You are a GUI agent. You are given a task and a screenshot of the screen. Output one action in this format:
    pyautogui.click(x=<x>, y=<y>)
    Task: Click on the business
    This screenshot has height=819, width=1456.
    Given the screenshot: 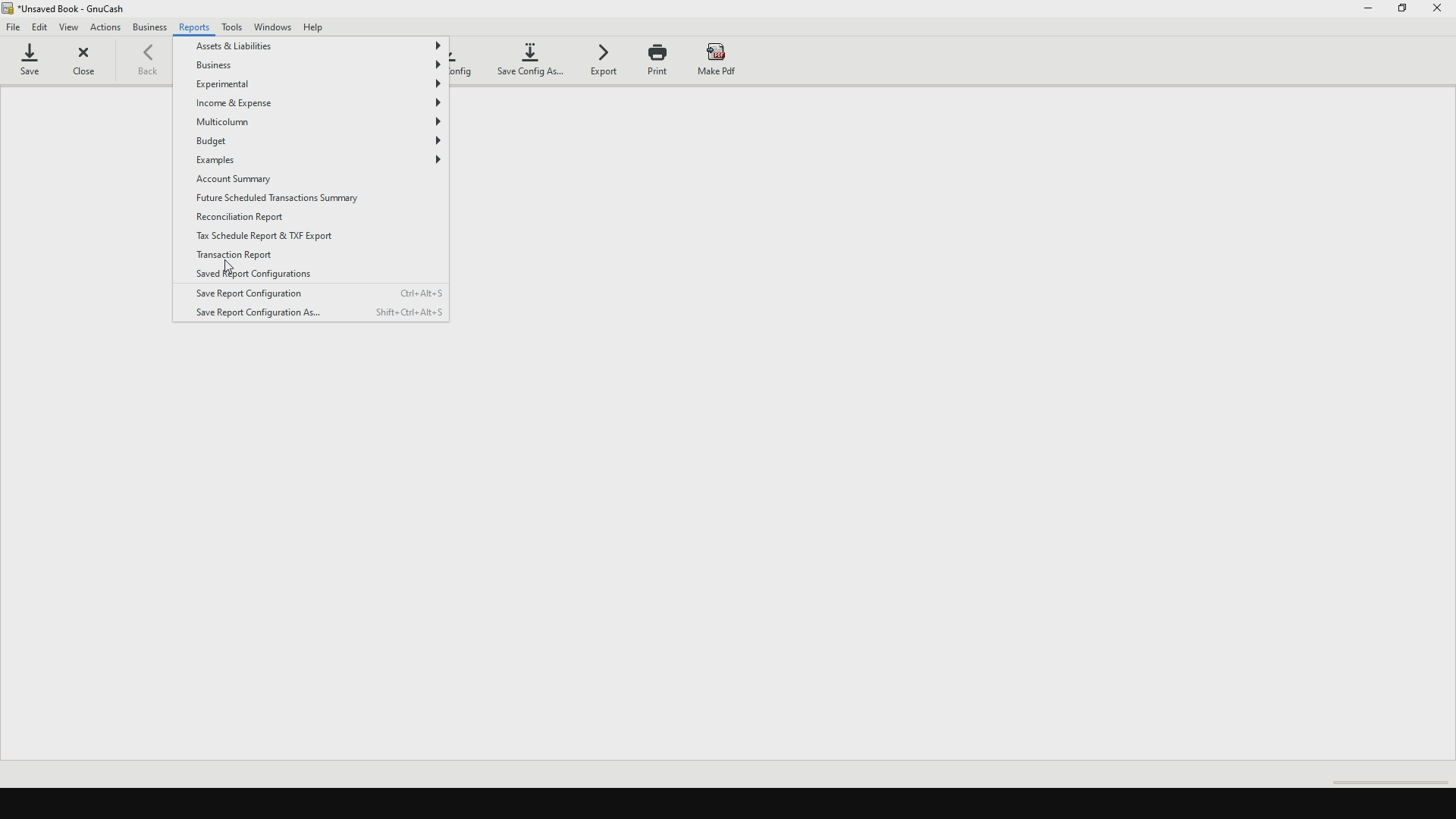 What is the action you would take?
    pyautogui.click(x=318, y=66)
    